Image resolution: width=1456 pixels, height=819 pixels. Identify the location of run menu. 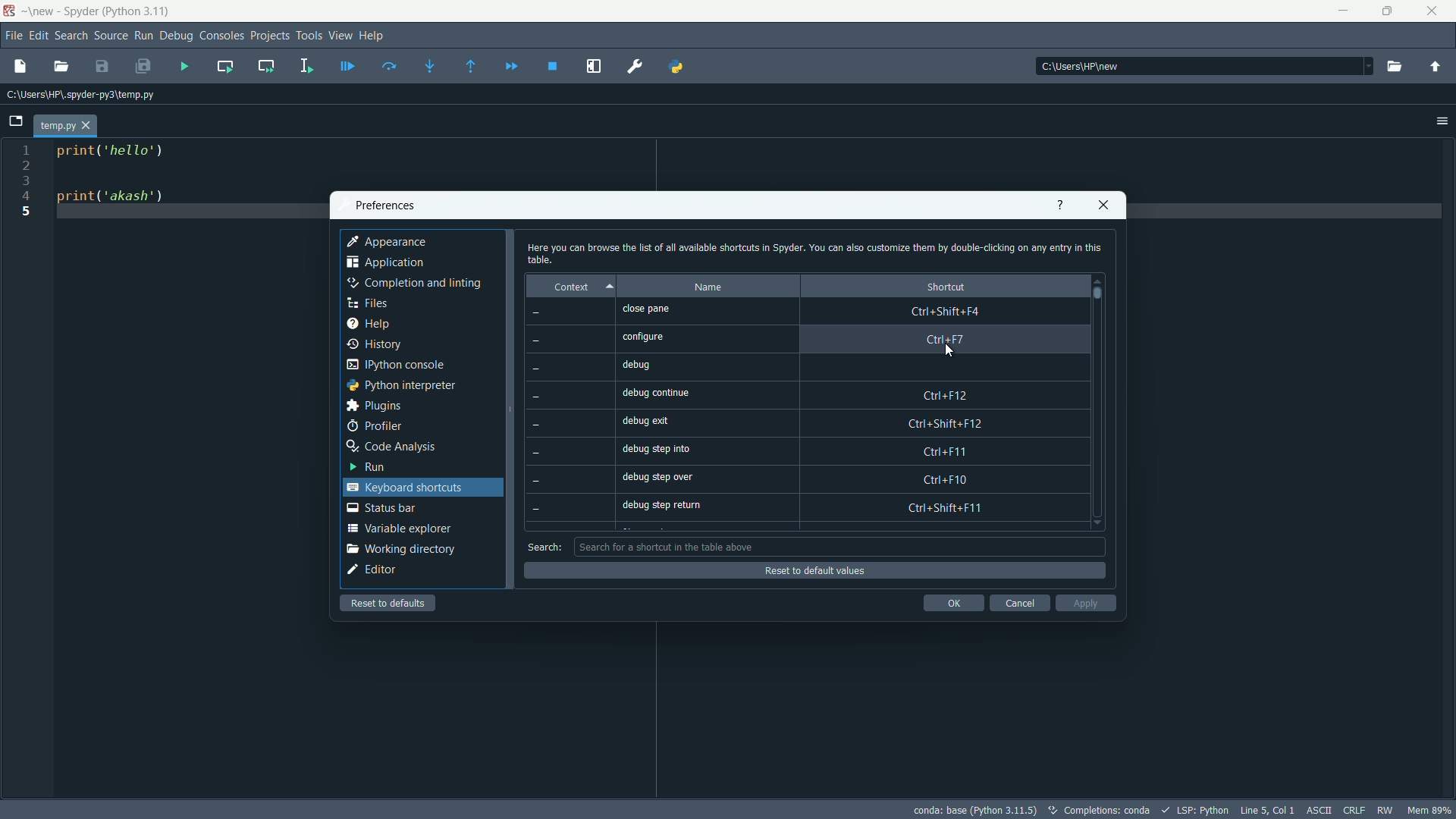
(143, 36).